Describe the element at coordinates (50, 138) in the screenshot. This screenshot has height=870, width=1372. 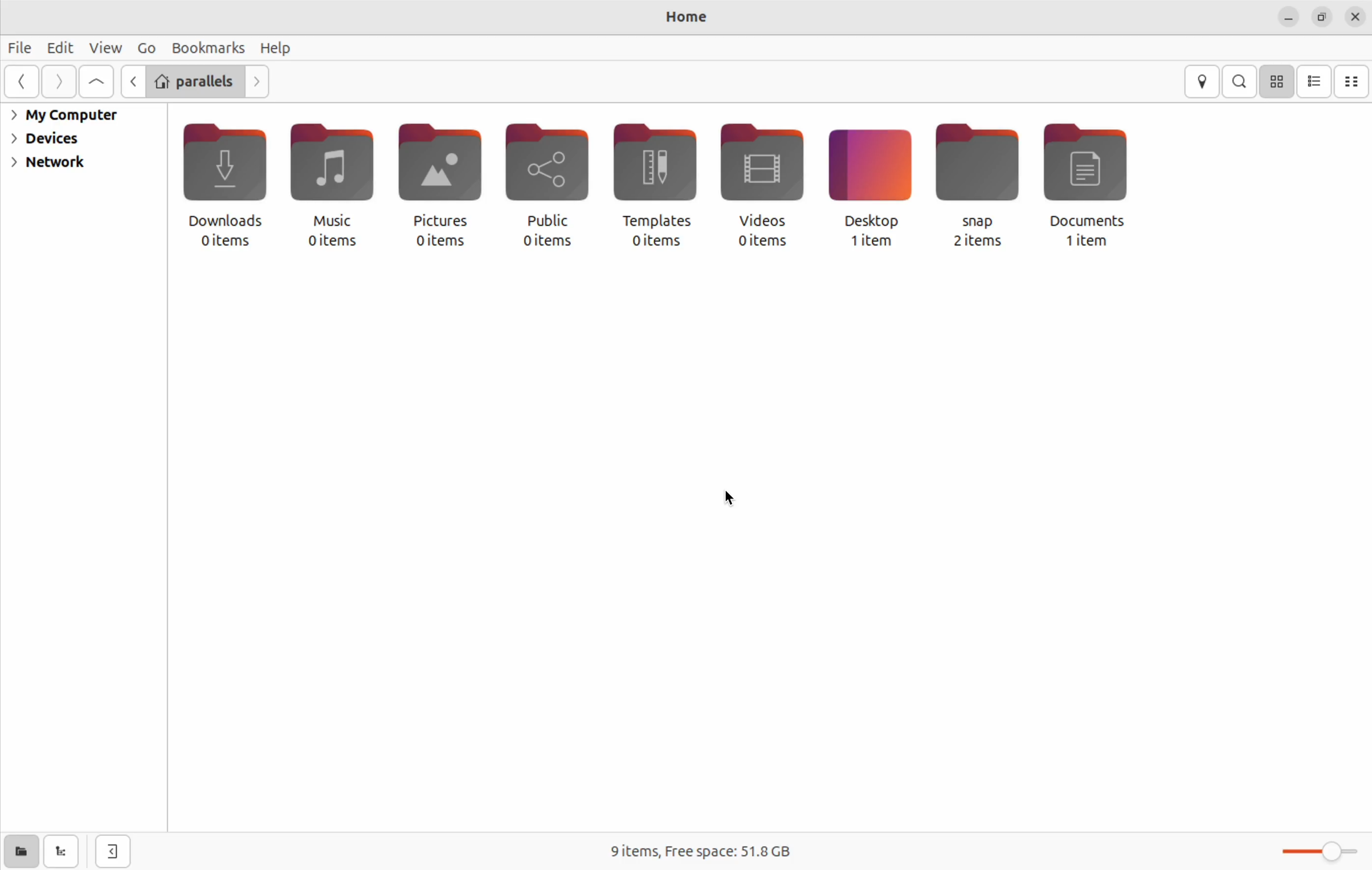
I see `devices` at that location.